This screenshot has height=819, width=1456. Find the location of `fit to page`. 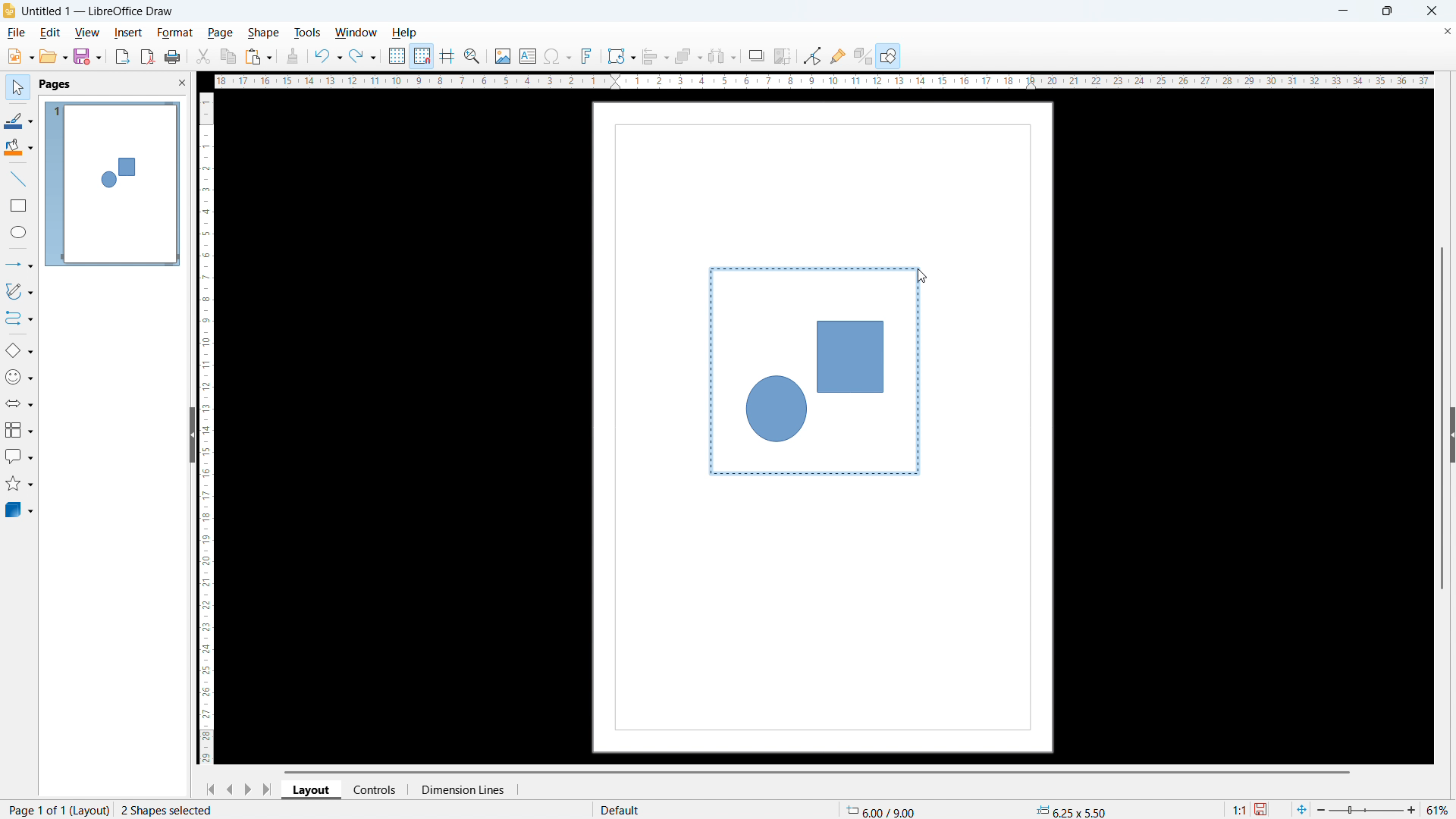

fit to page is located at coordinates (1301, 809).